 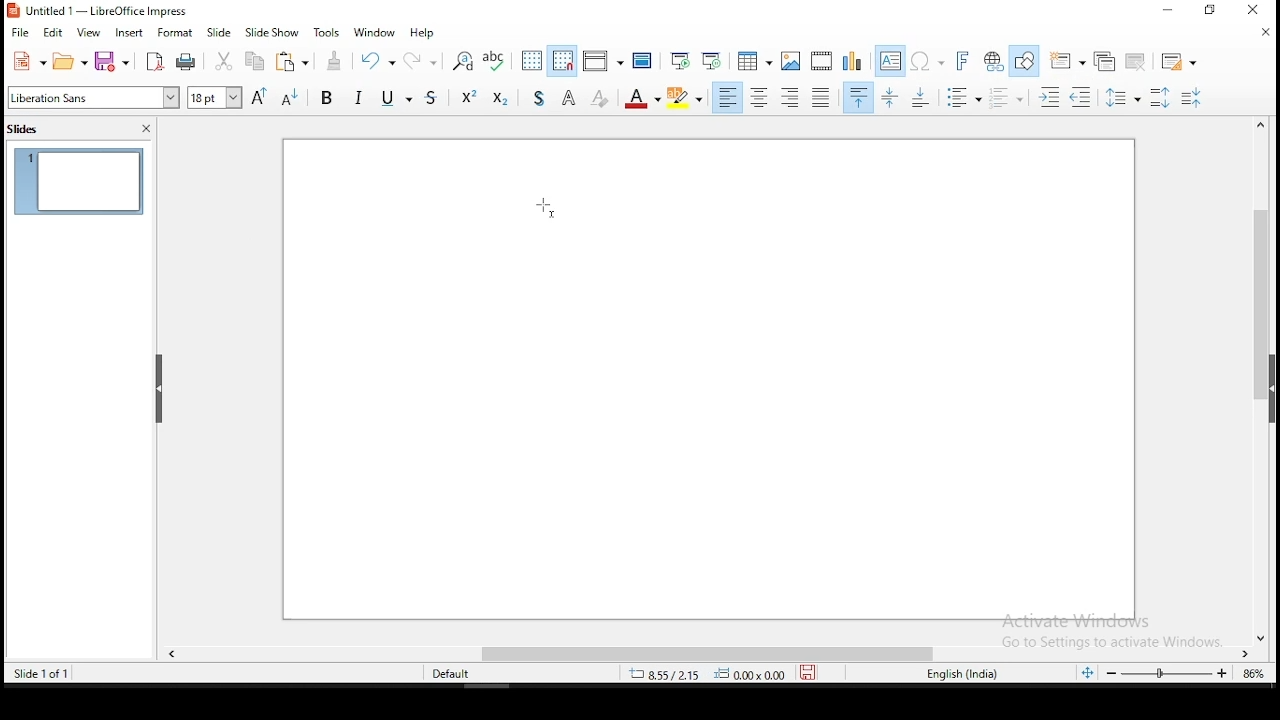 What do you see at coordinates (88, 33) in the screenshot?
I see `view` at bounding box center [88, 33].